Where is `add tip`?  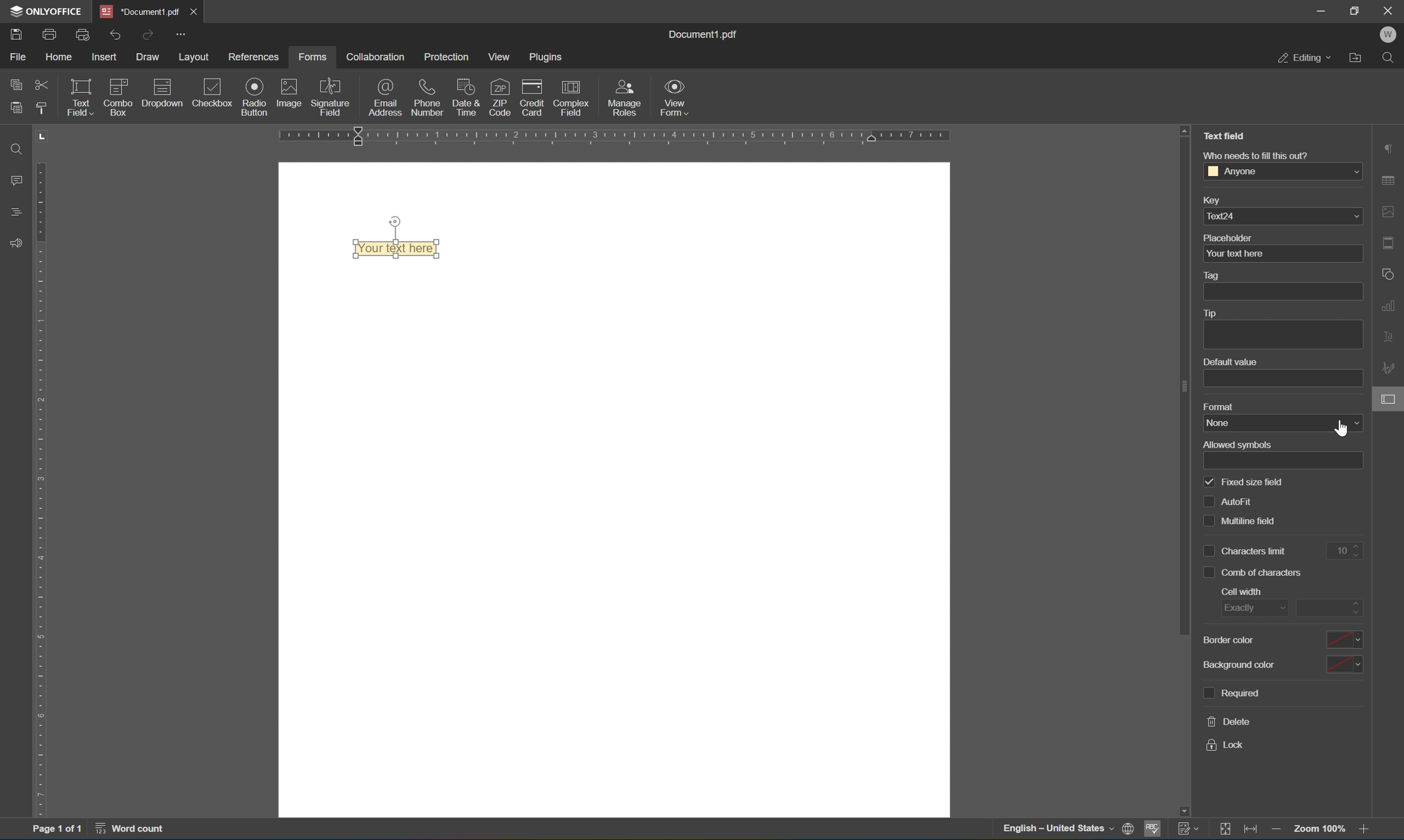 add tip is located at coordinates (1282, 336).